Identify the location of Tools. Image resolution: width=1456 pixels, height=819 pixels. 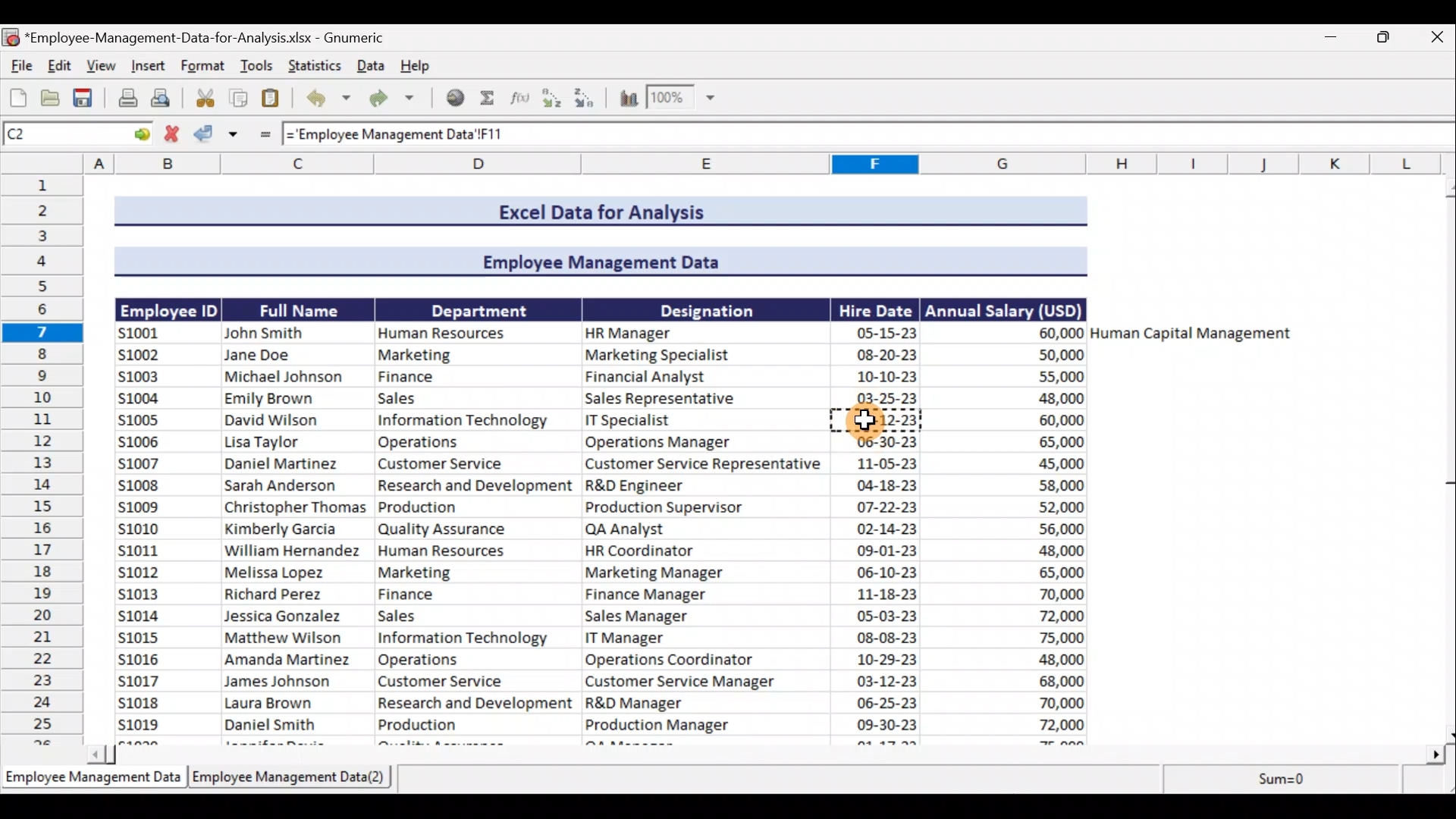
(260, 66).